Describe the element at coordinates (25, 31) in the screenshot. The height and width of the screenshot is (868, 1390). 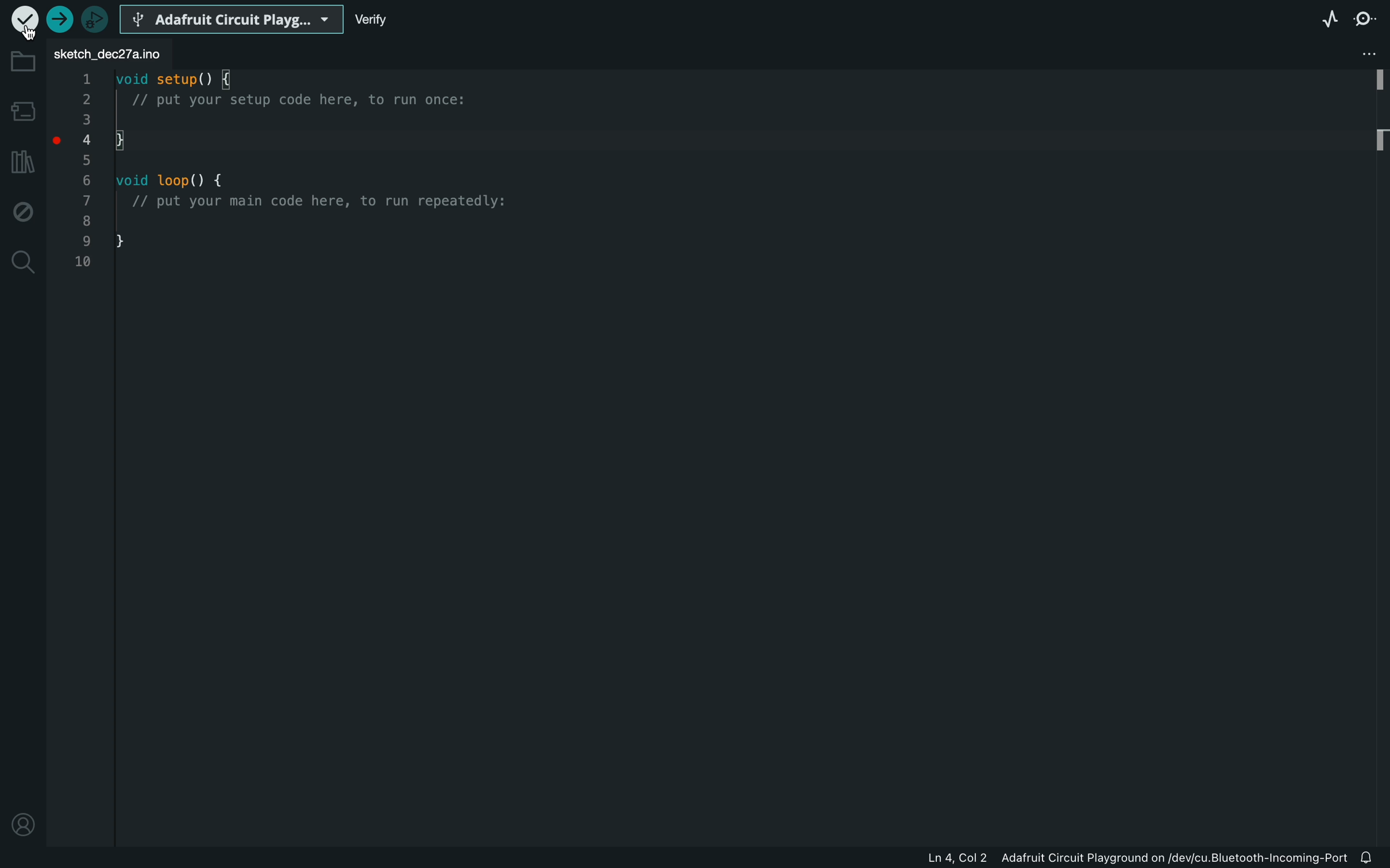
I see `cursor` at that location.